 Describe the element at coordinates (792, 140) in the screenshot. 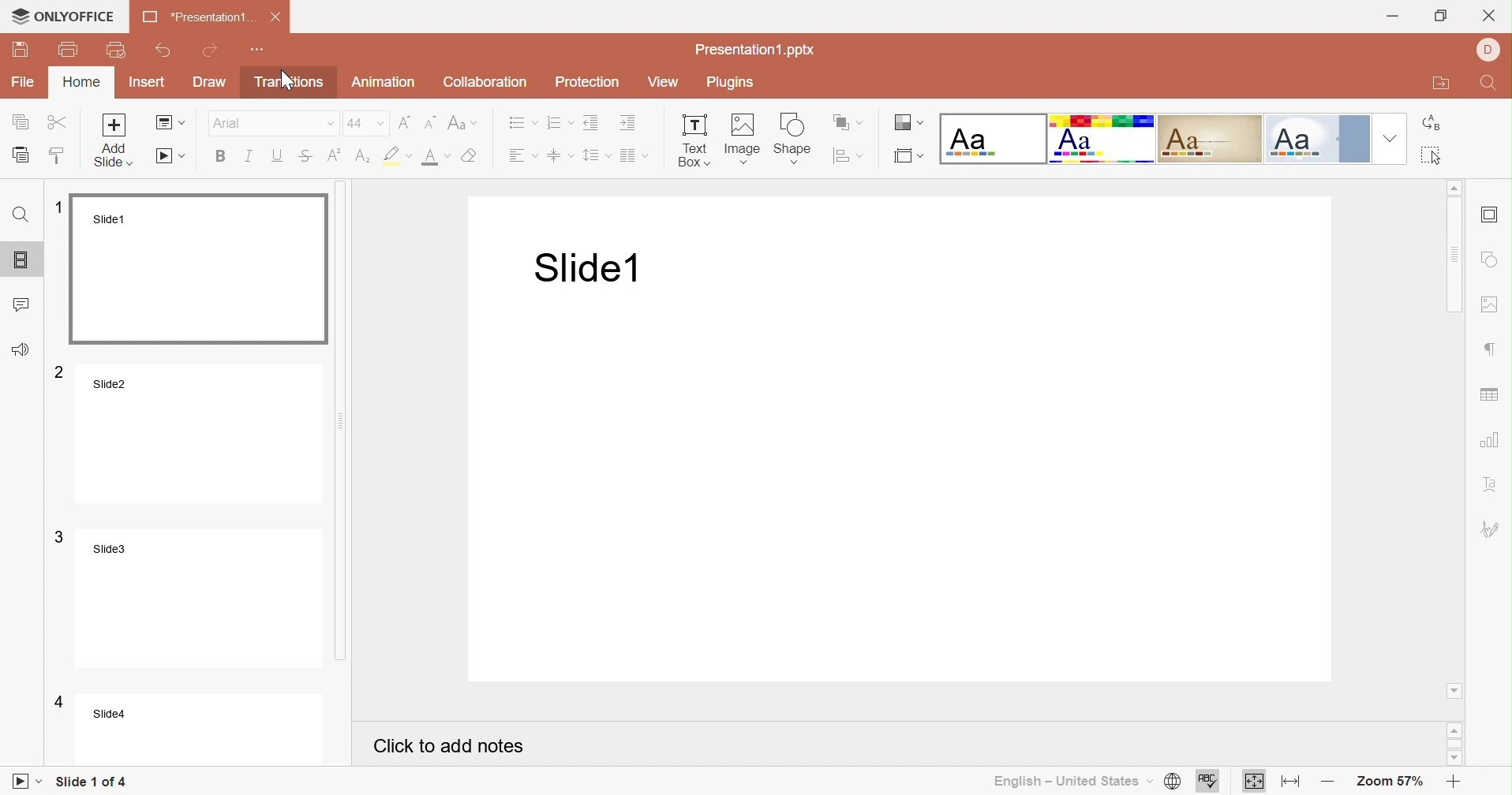

I see `Insert Shape` at that location.